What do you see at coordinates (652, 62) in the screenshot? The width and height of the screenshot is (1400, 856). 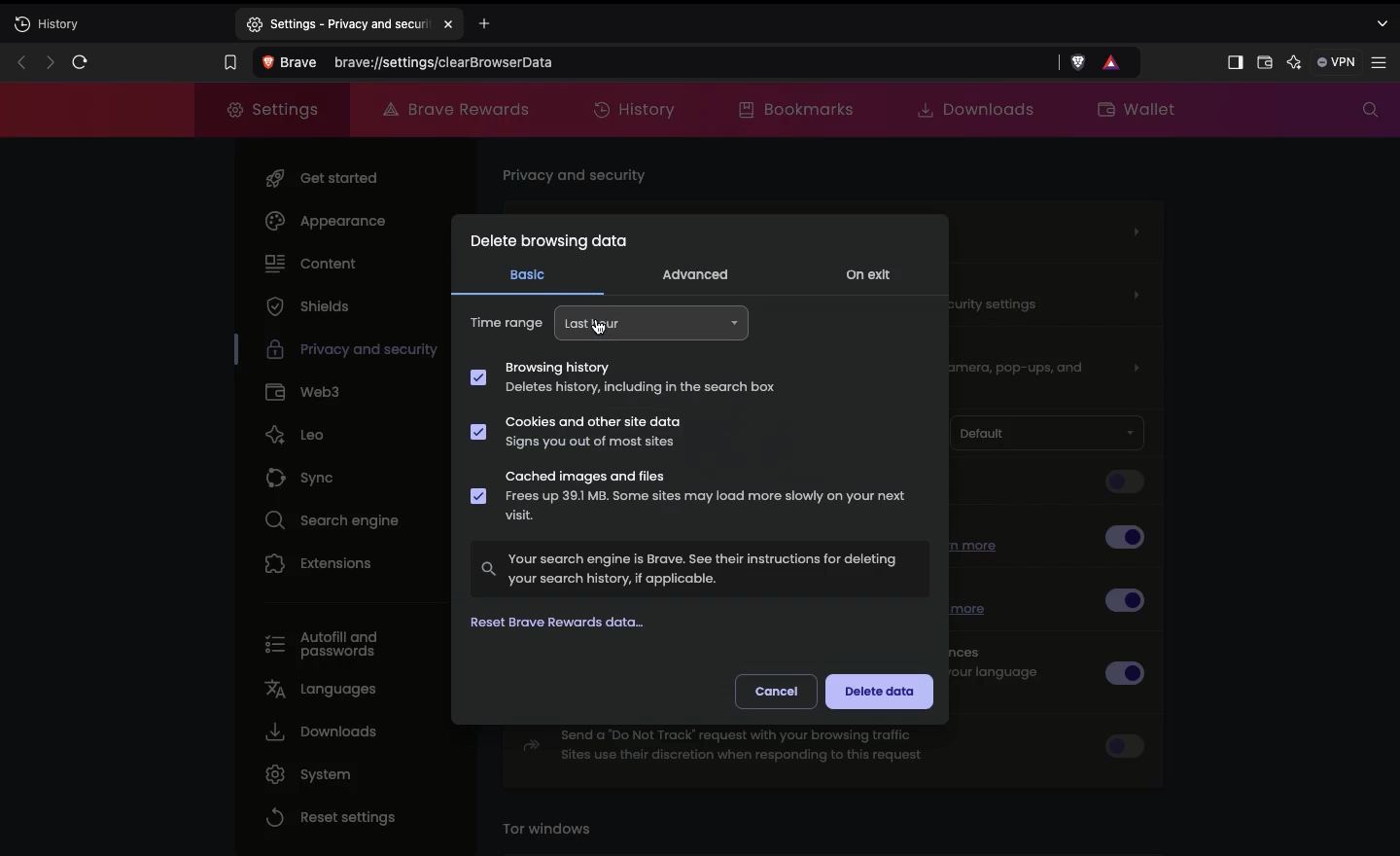 I see `Search Brave` at bounding box center [652, 62].